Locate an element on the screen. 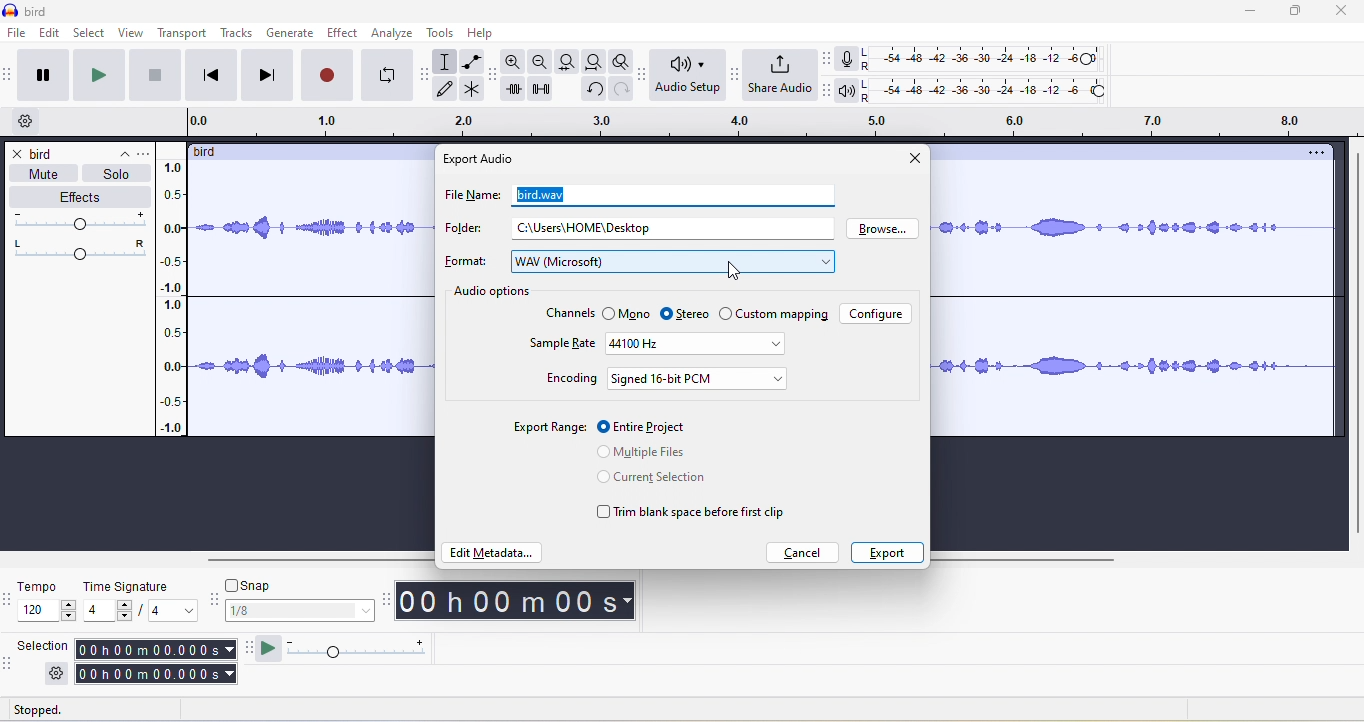 This screenshot has width=1364, height=722. current selection is located at coordinates (656, 481).